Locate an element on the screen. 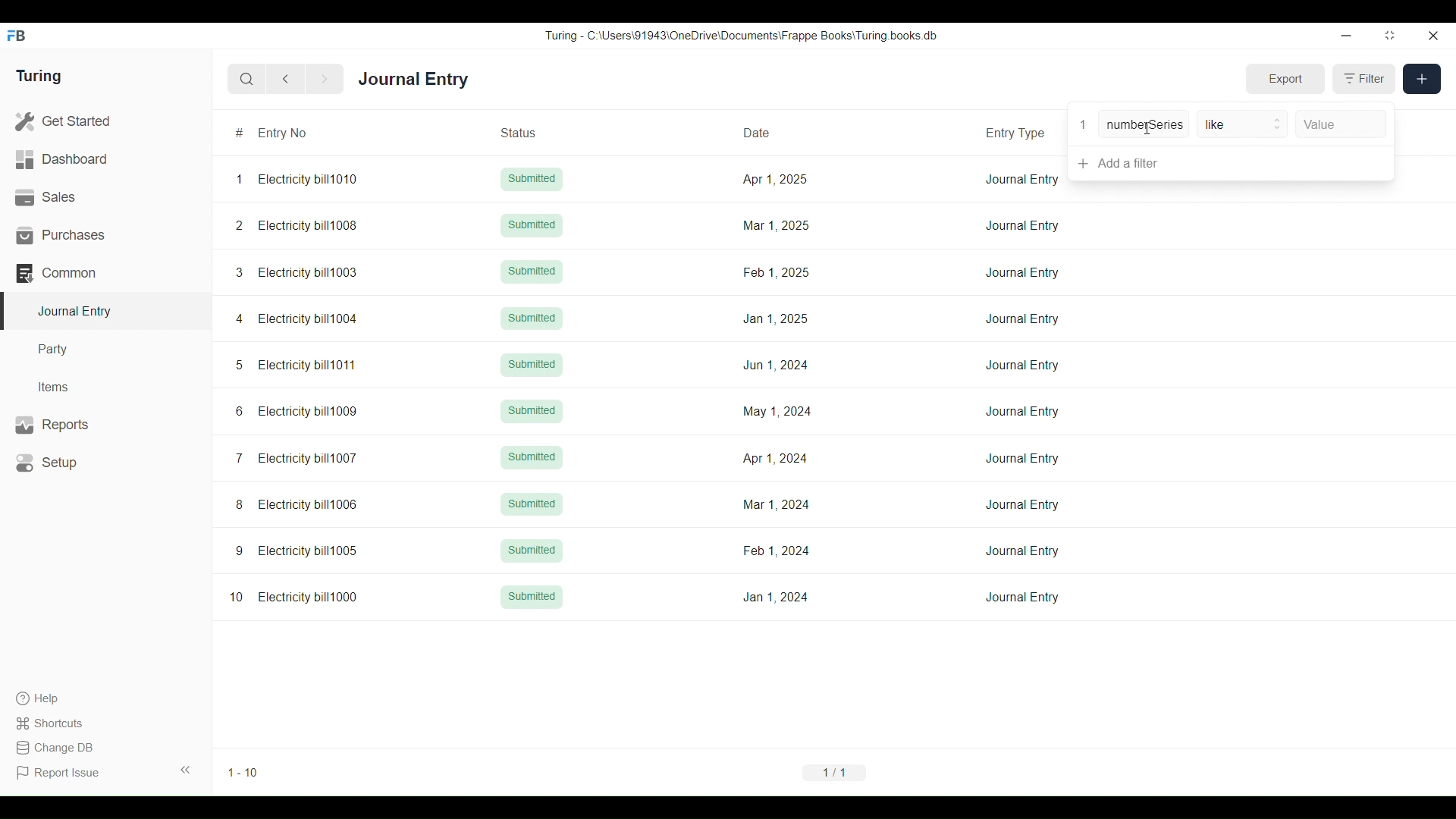 This screenshot has height=819, width=1456. Journal Entry is located at coordinates (1022, 226).